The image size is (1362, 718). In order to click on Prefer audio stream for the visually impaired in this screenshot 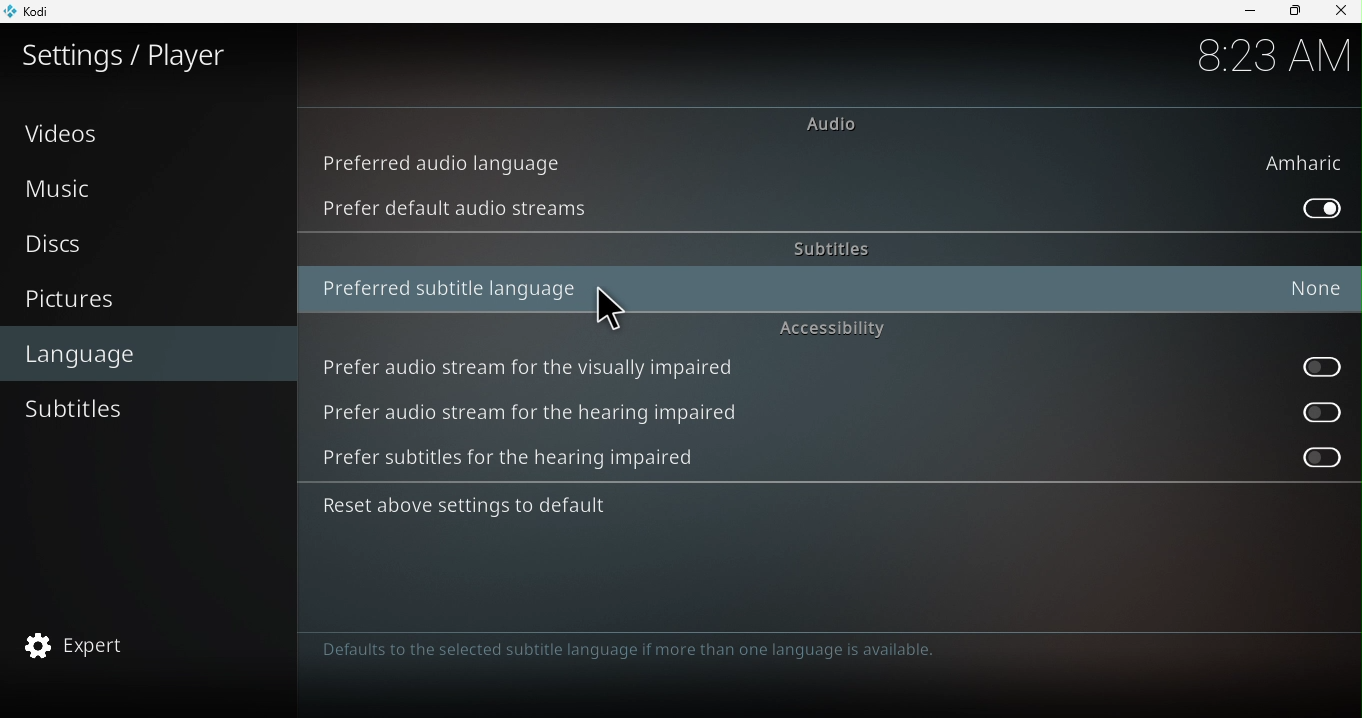, I will do `click(533, 365)`.